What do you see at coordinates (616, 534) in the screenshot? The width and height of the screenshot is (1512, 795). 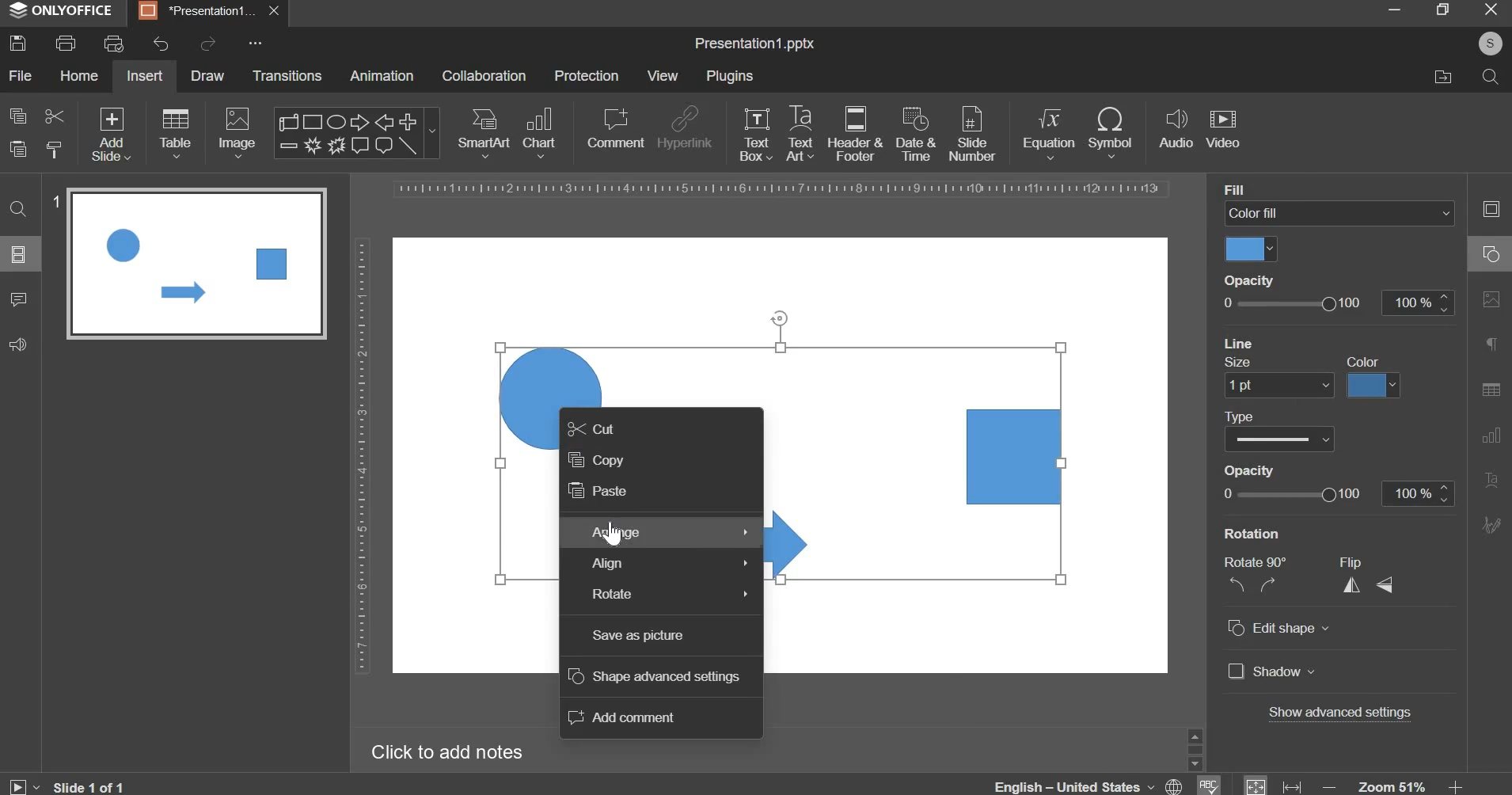 I see `cursor` at bounding box center [616, 534].